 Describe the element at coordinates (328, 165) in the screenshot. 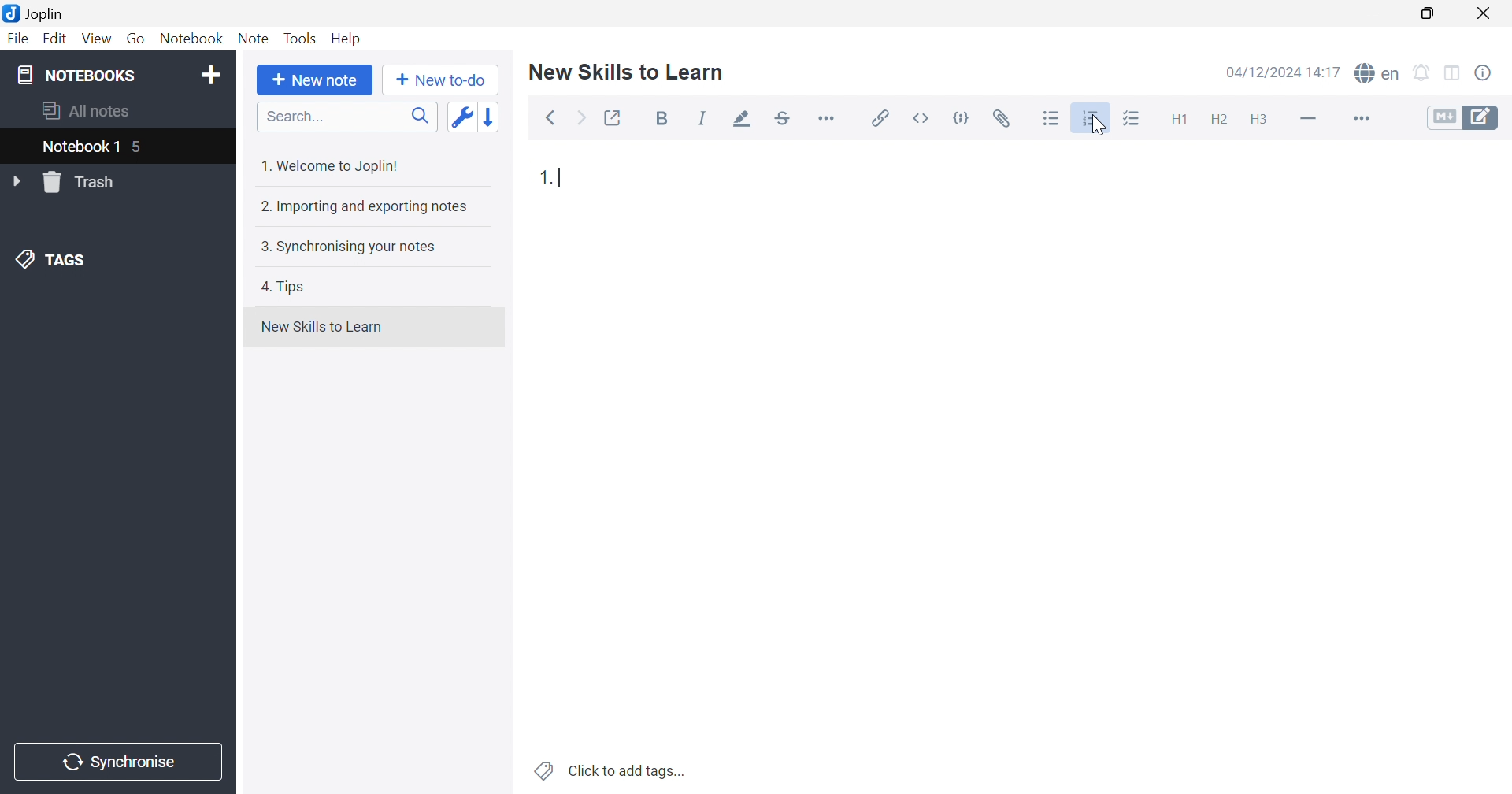

I see `1. Welcome to Joplin` at that location.